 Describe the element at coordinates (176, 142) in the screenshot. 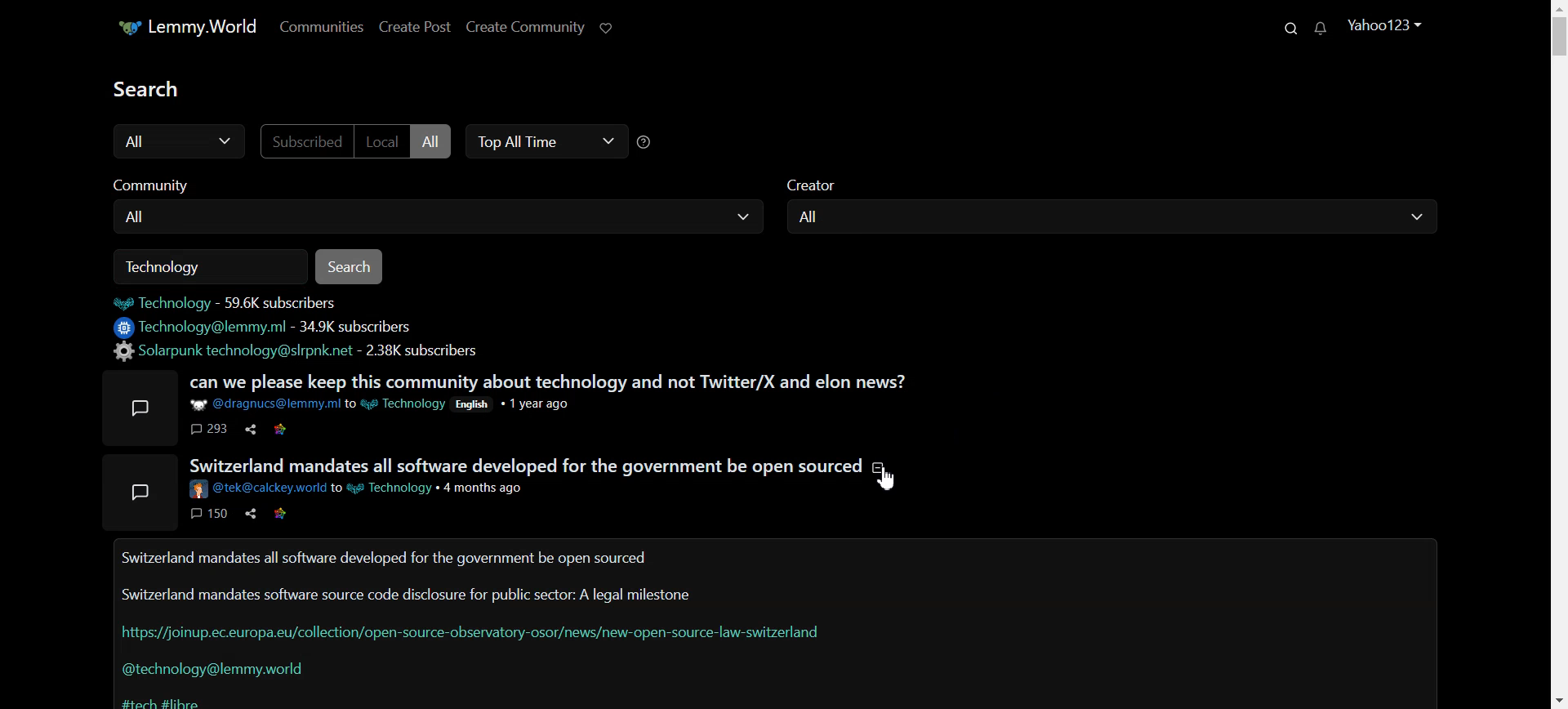

I see `All` at that location.